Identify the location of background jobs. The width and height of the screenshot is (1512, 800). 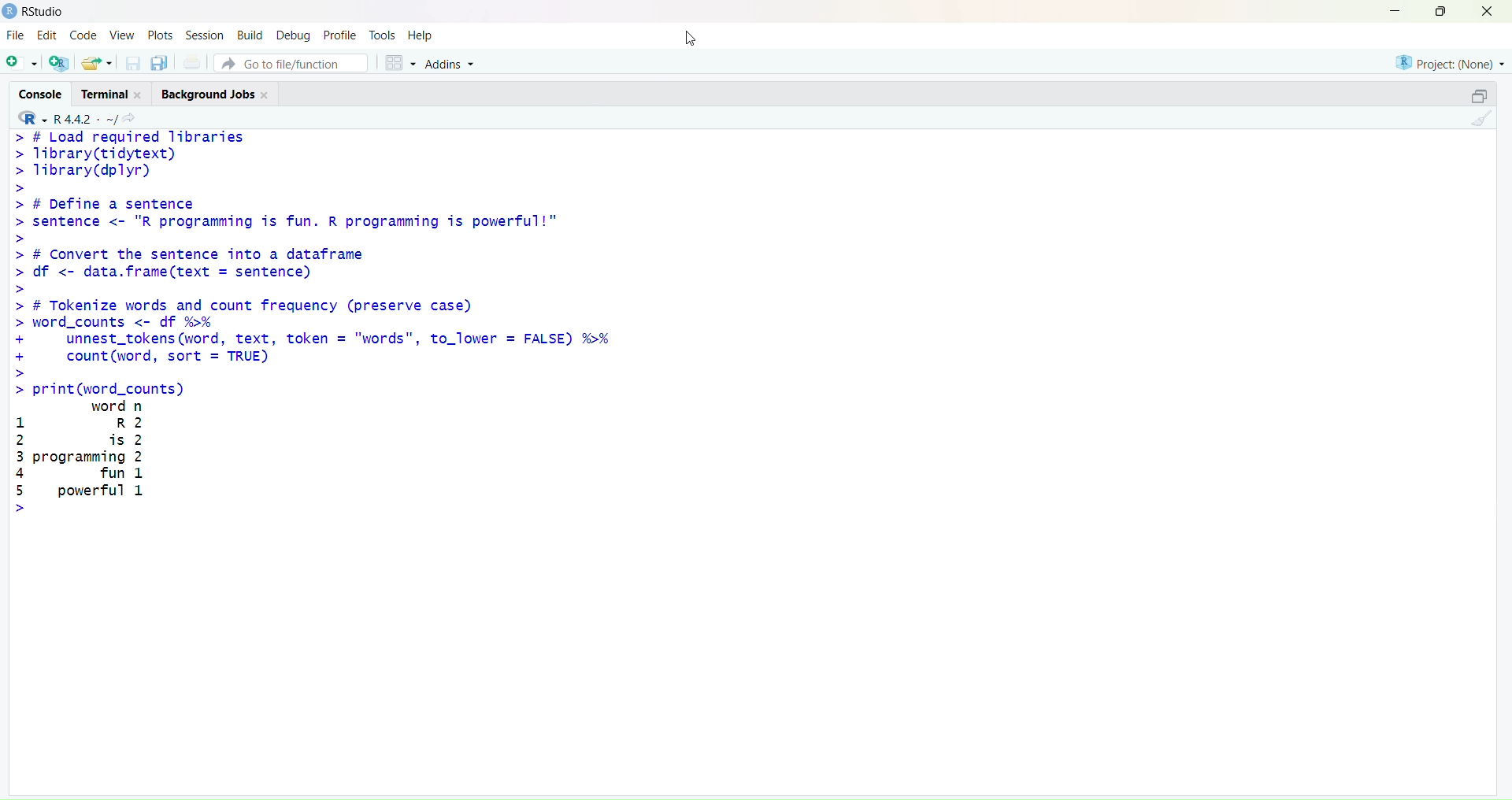
(216, 95).